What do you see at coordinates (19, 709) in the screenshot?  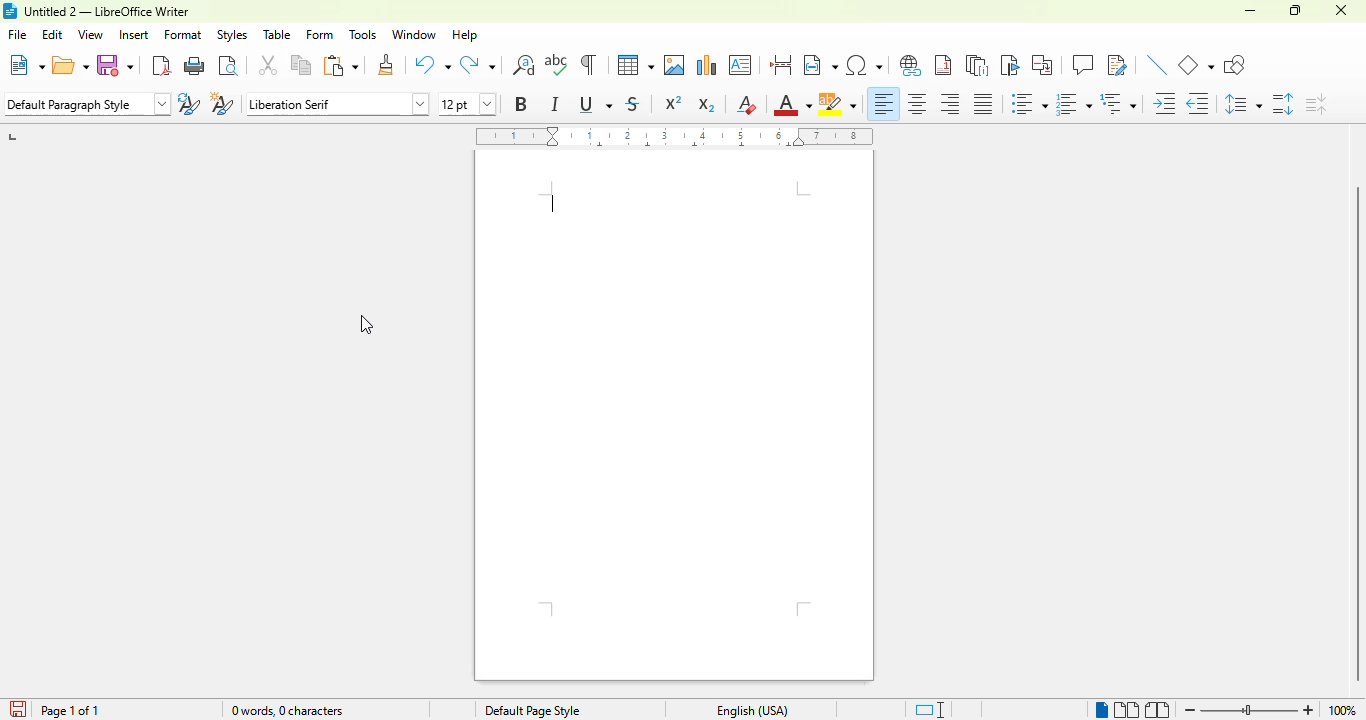 I see `click to save the document` at bounding box center [19, 709].